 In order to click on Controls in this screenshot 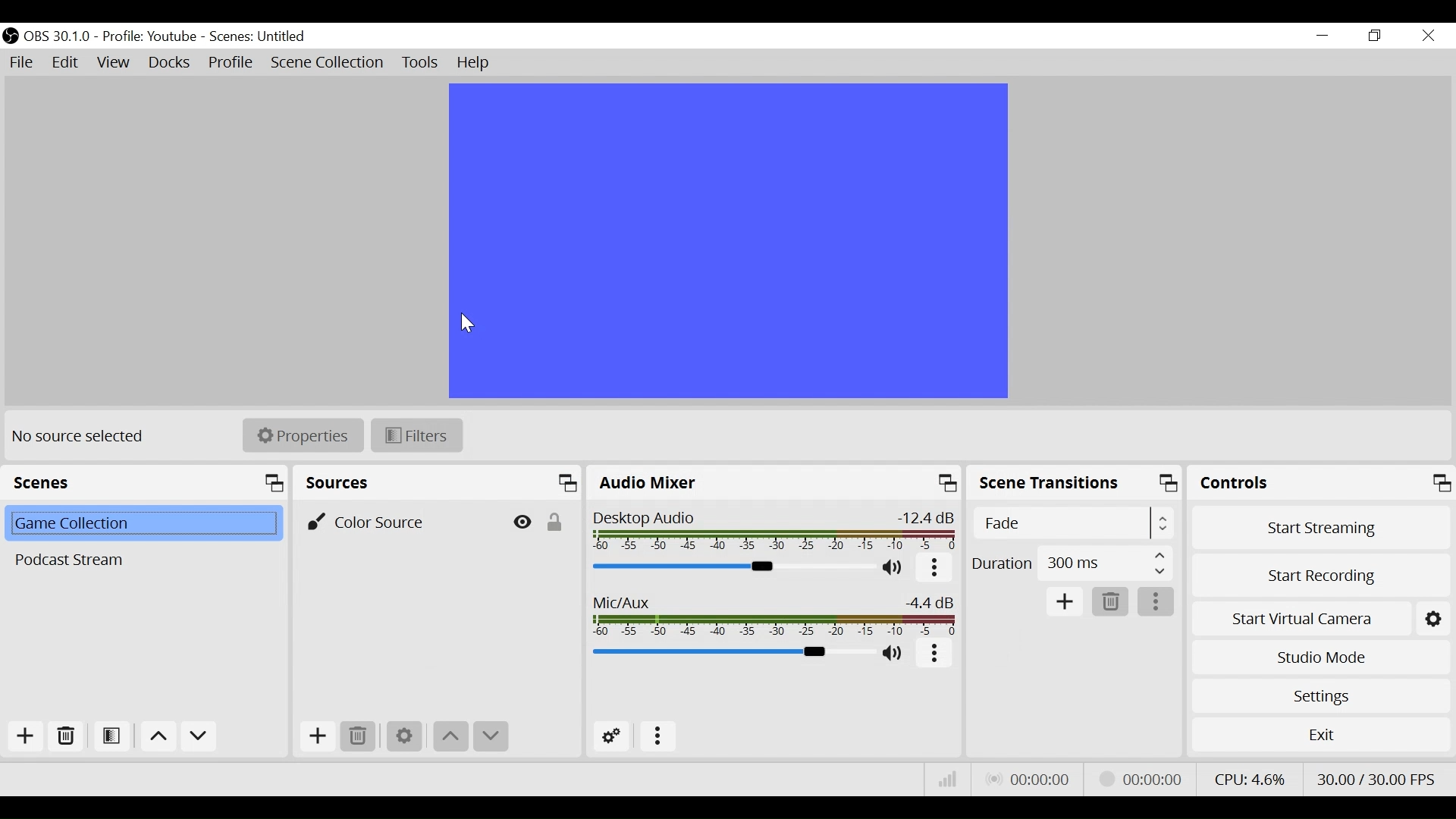, I will do `click(1319, 483)`.